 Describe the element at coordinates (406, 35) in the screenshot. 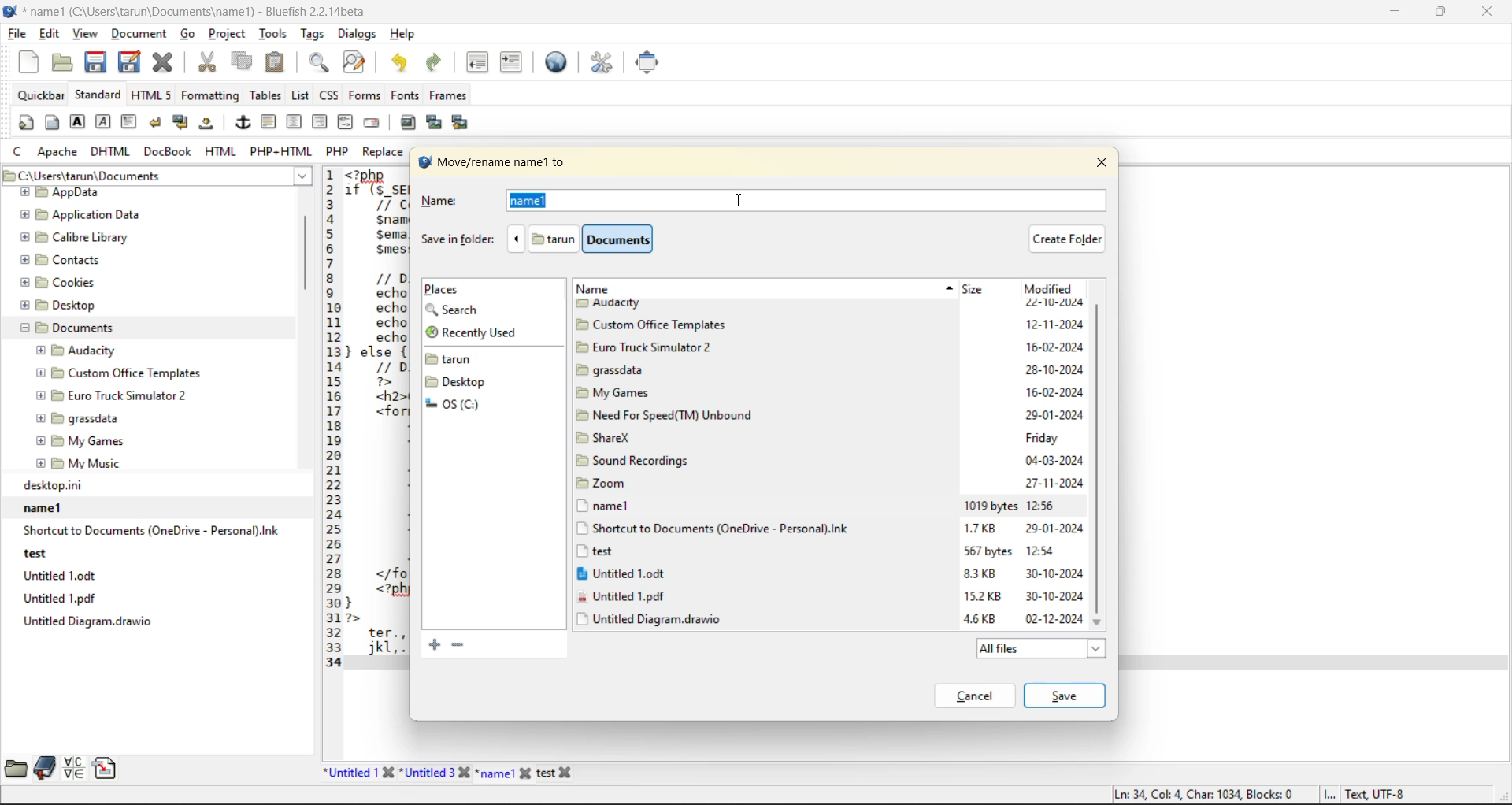

I see `help` at that location.